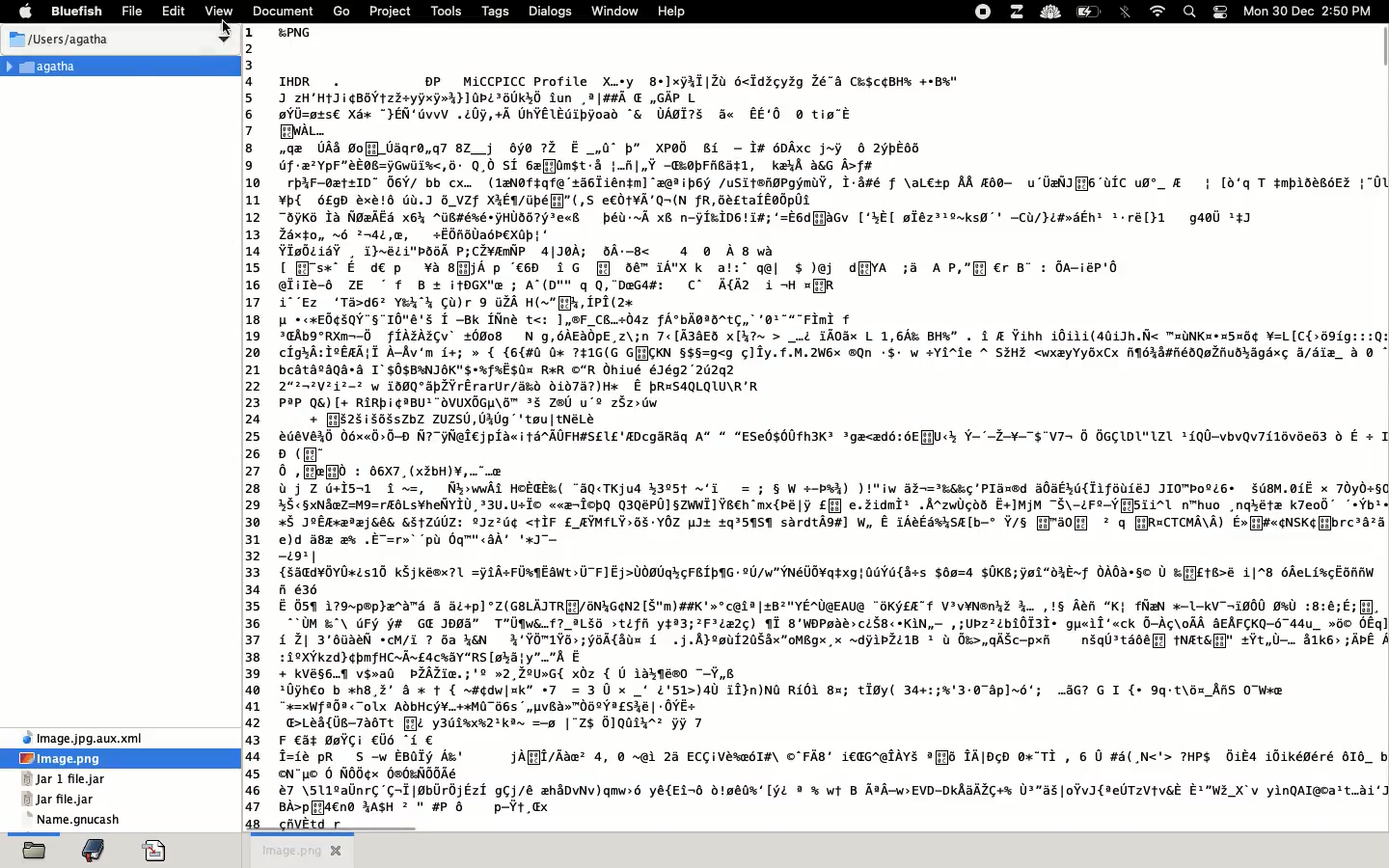 This screenshot has height=868, width=1389. What do you see at coordinates (616, 10) in the screenshot?
I see `window` at bounding box center [616, 10].